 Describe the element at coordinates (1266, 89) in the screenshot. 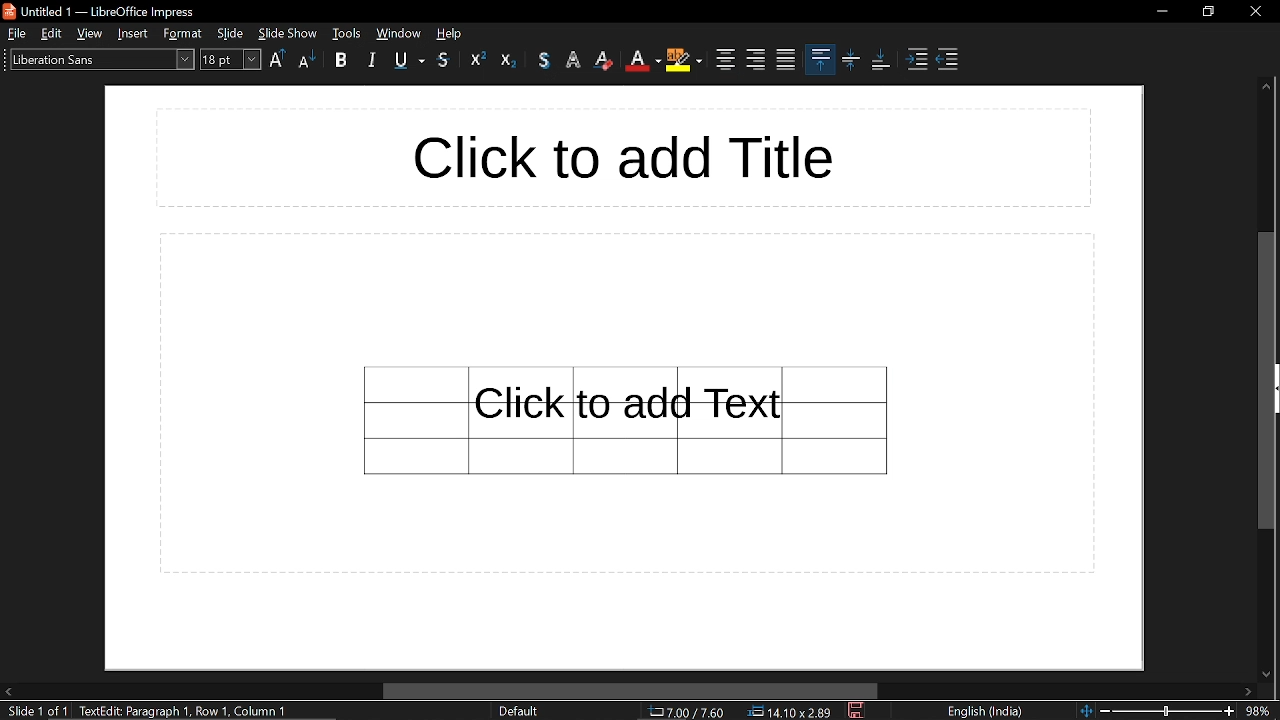

I see `move up` at that location.